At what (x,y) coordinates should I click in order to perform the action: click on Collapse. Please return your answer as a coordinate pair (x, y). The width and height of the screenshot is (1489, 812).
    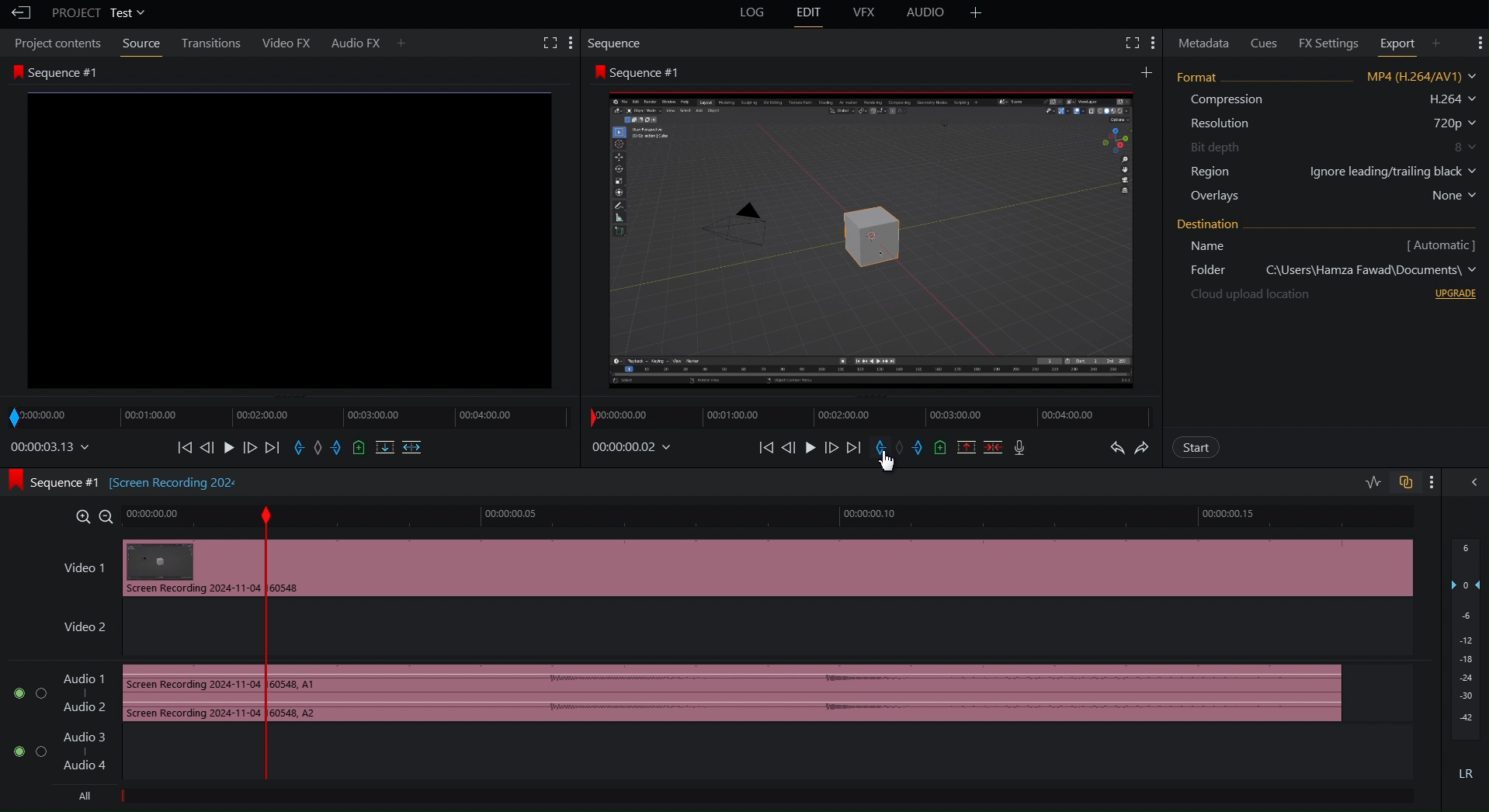
    Looking at the image, I should click on (1474, 483).